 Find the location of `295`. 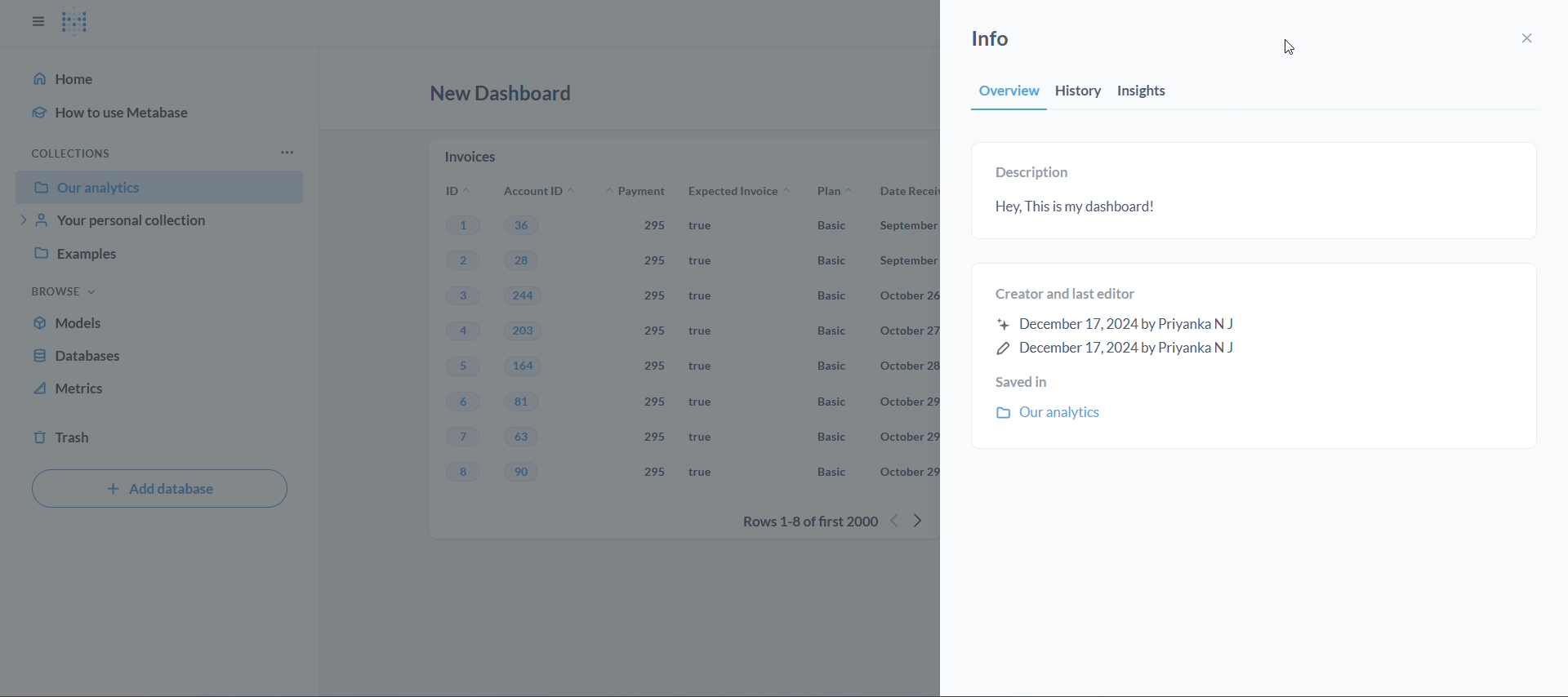

295 is located at coordinates (655, 332).